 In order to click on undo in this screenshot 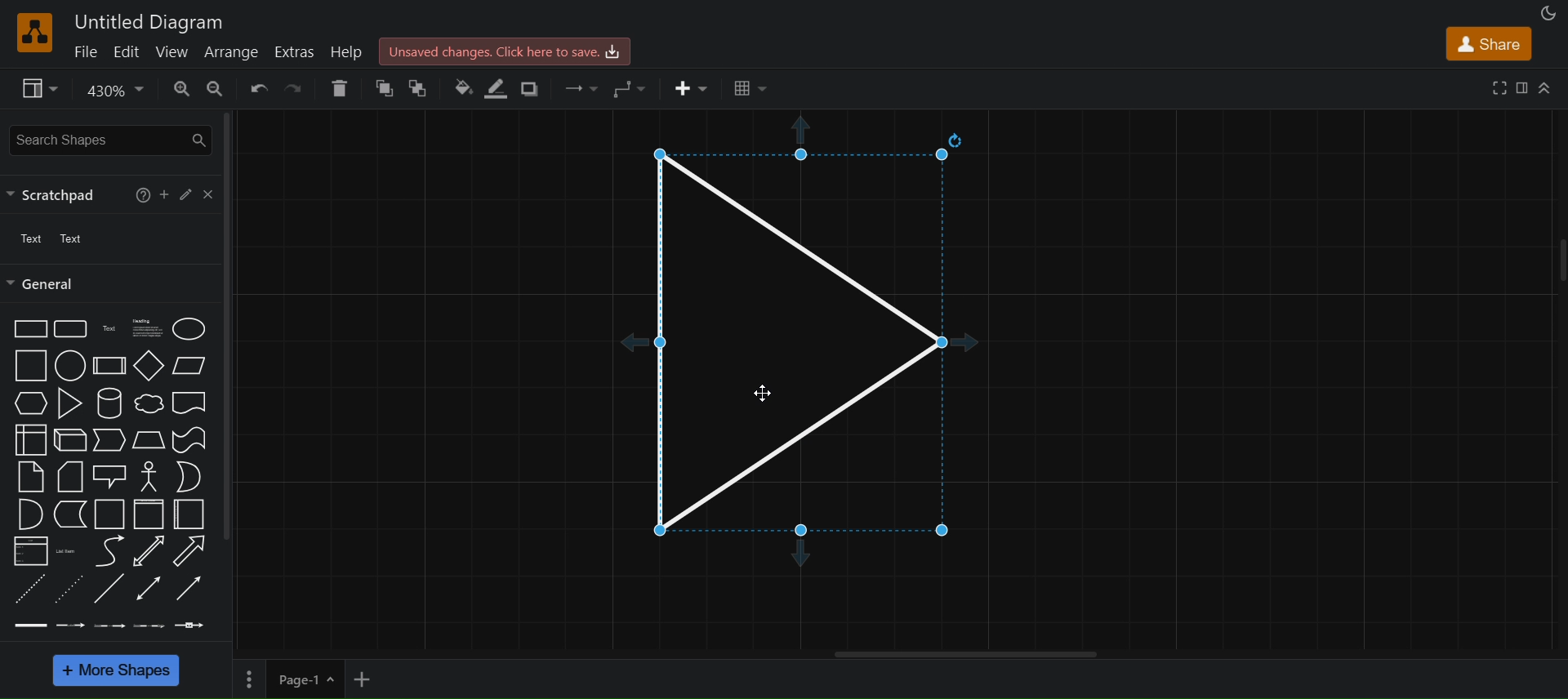, I will do `click(256, 87)`.